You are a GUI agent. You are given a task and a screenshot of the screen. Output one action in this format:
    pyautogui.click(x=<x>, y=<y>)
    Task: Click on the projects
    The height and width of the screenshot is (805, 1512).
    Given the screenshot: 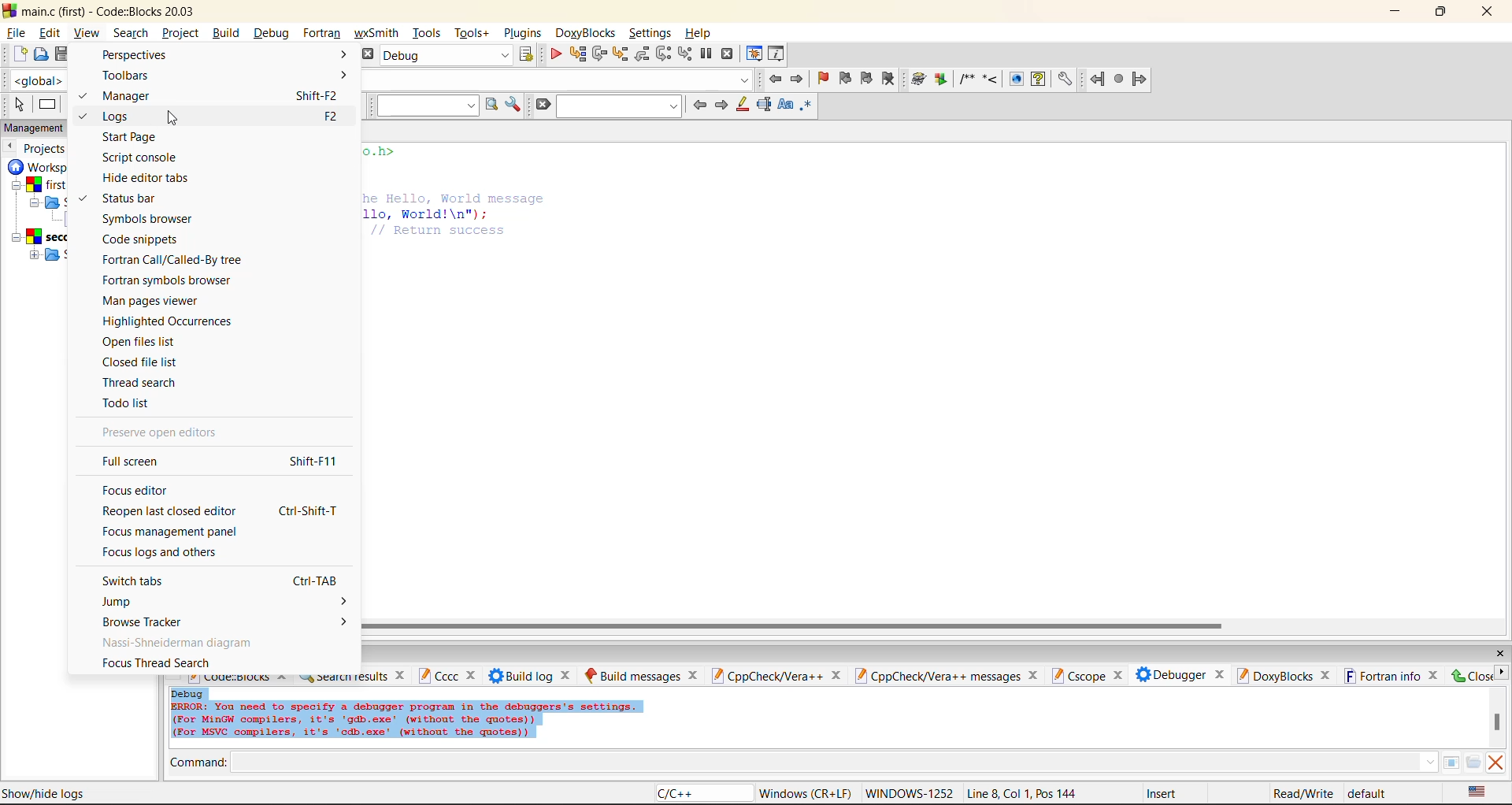 What is the action you would take?
    pyautogui.click(x=50, y=149)
    